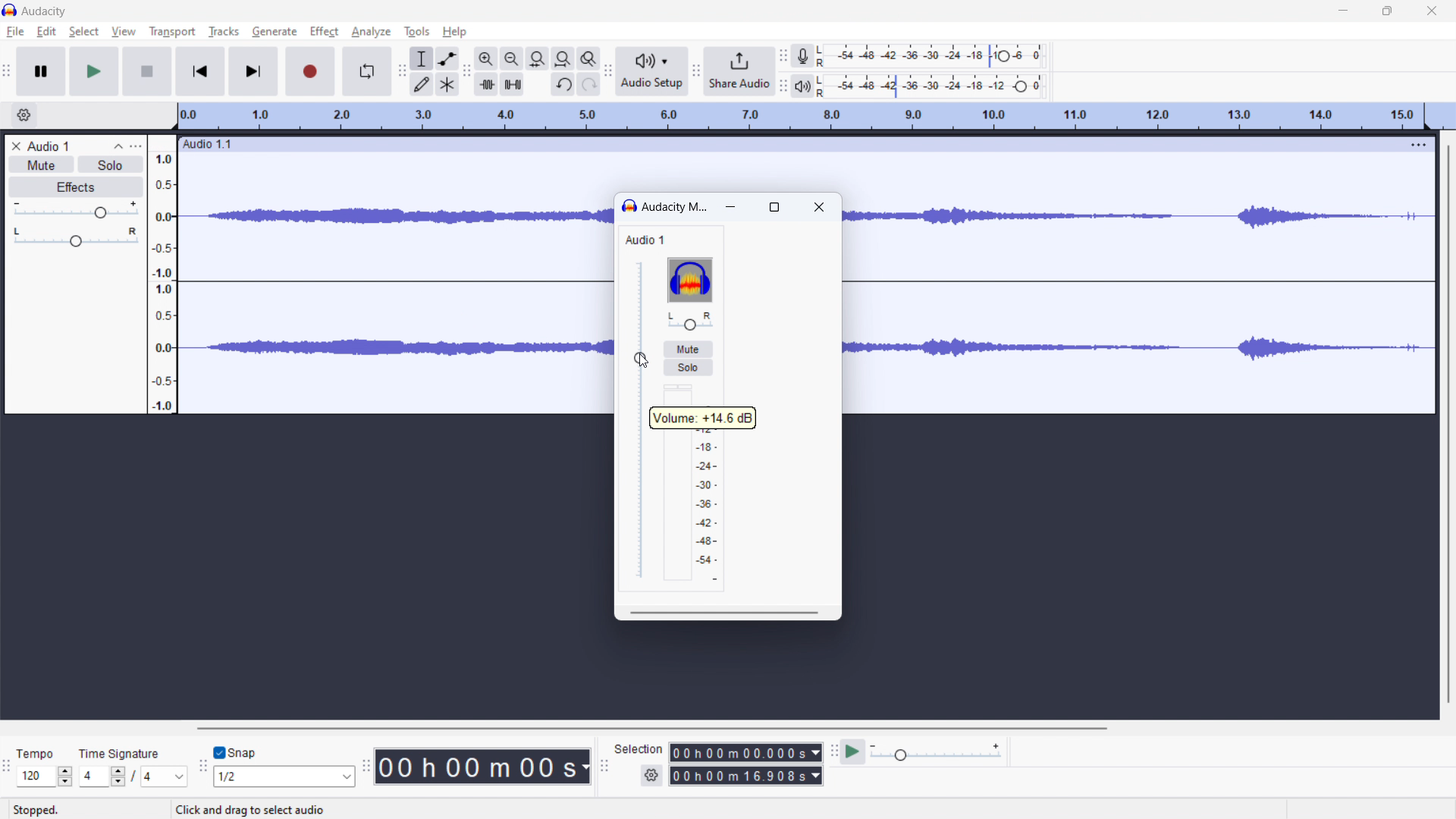 The width and height of the screenshot is (1456, 819). Describe the element at coordinates (674, 206) in the screenshot. I see `mixer dialogbox` at that location.